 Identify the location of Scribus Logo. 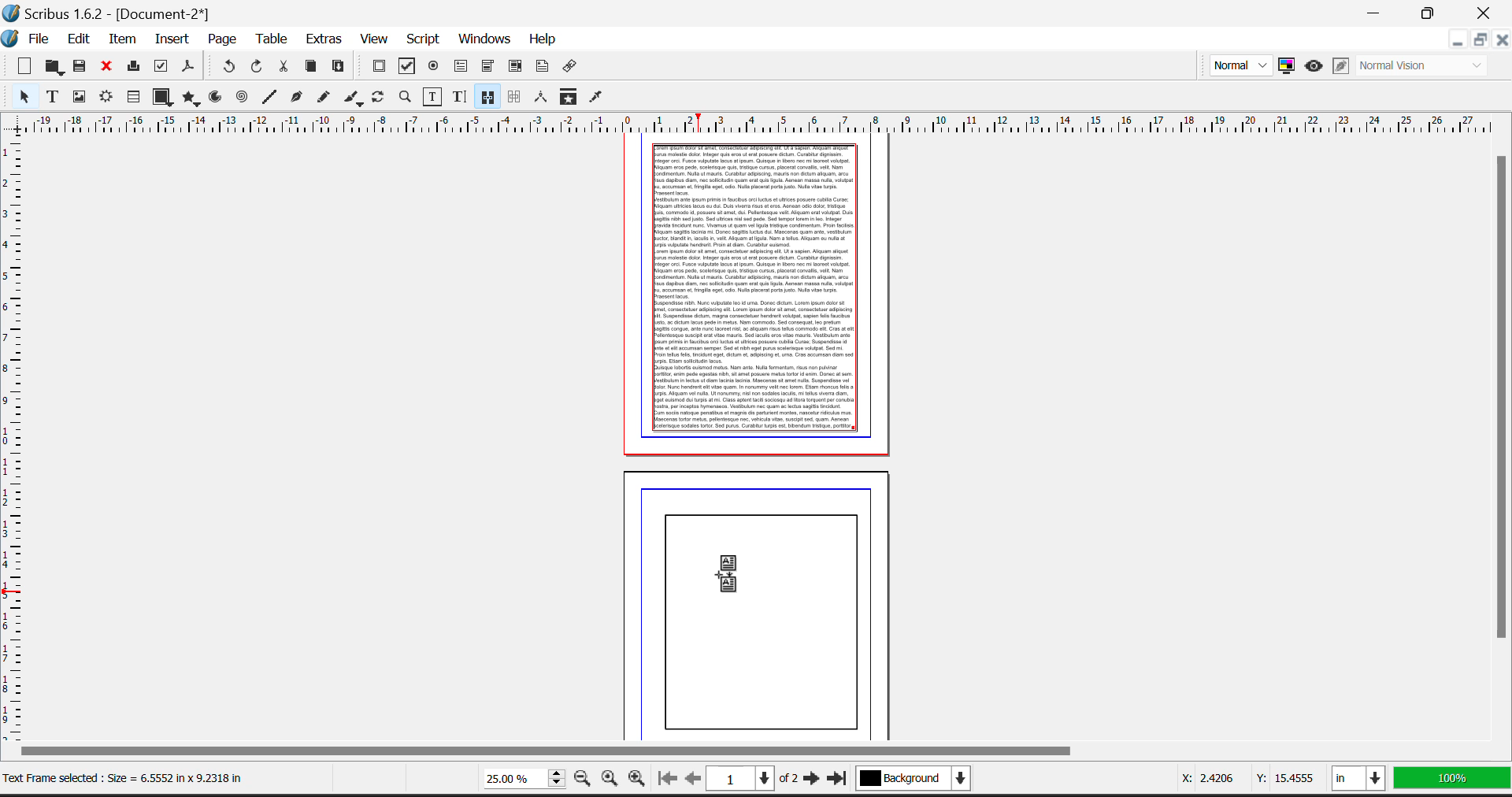
(11, 39).